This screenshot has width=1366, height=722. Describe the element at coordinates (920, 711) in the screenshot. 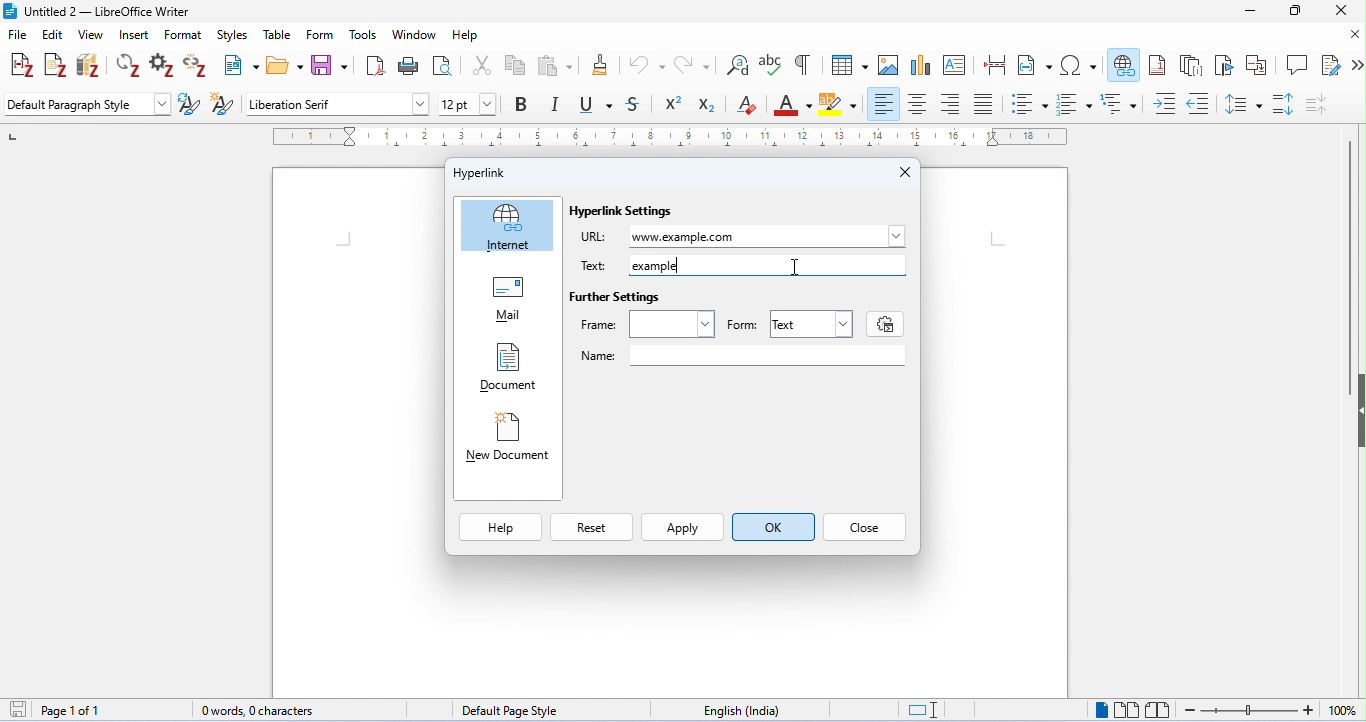

I see `standard selection` at that location.